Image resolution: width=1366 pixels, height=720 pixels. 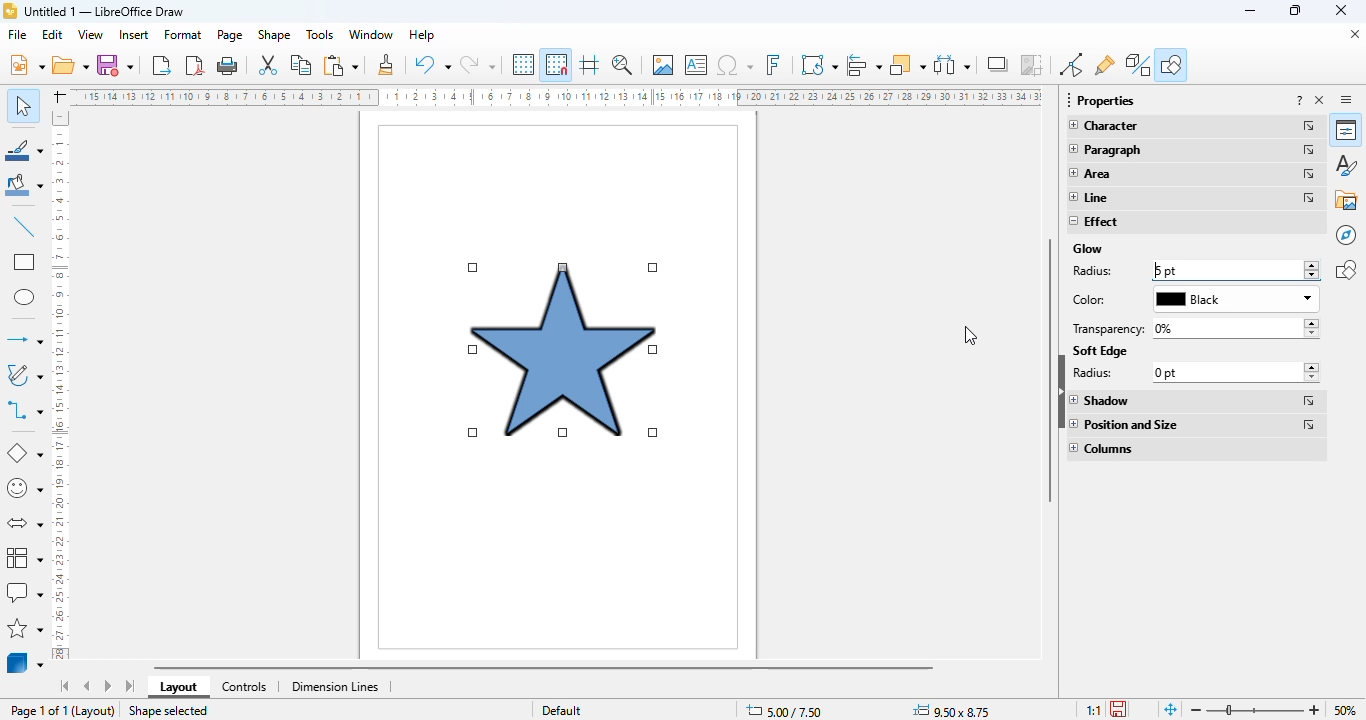 I want to click on 3D objects, so click(x=25, y=663).